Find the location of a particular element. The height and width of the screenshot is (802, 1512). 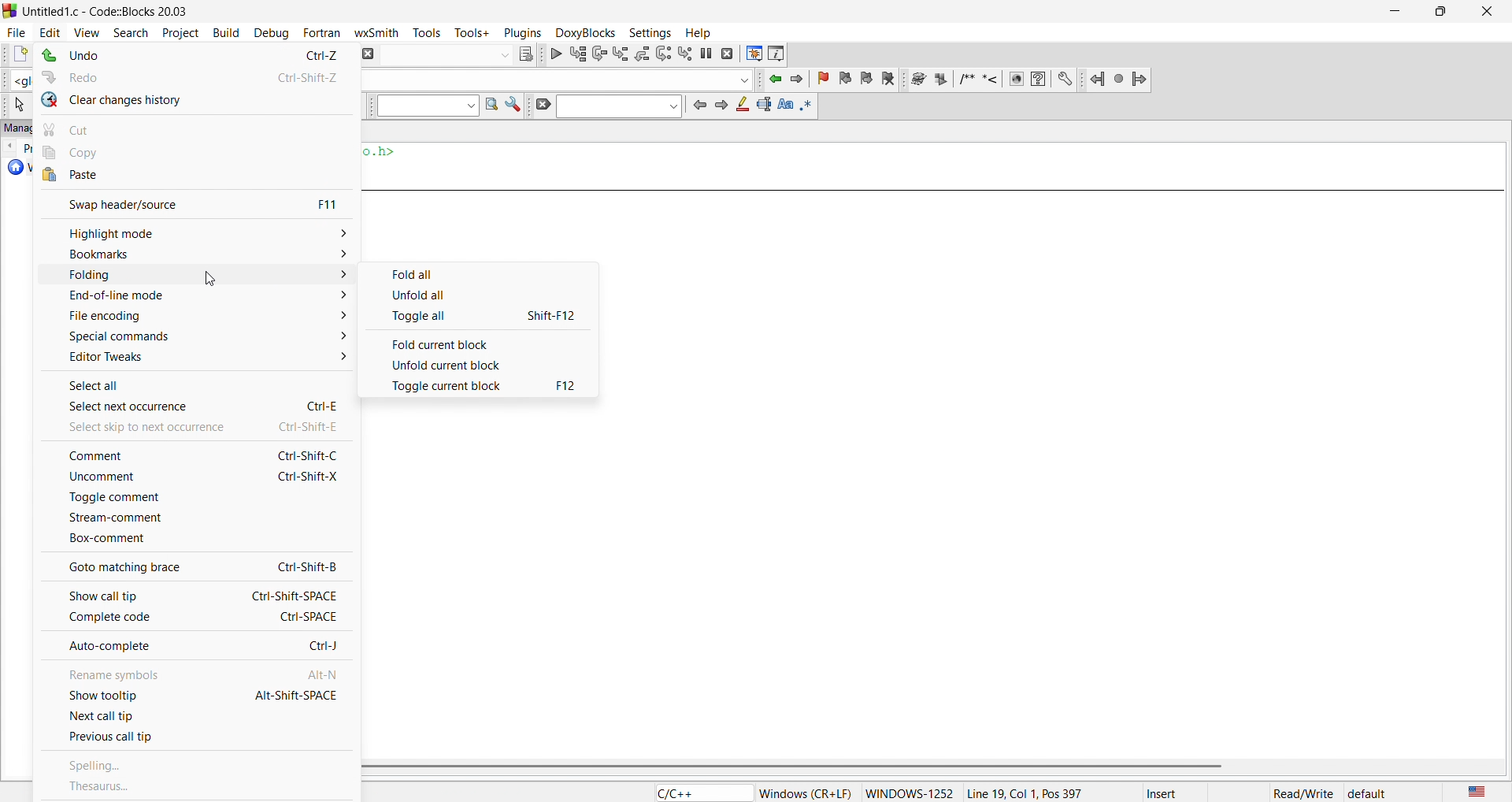

Windows (CR+LF) is located at coordinates (806, 793).